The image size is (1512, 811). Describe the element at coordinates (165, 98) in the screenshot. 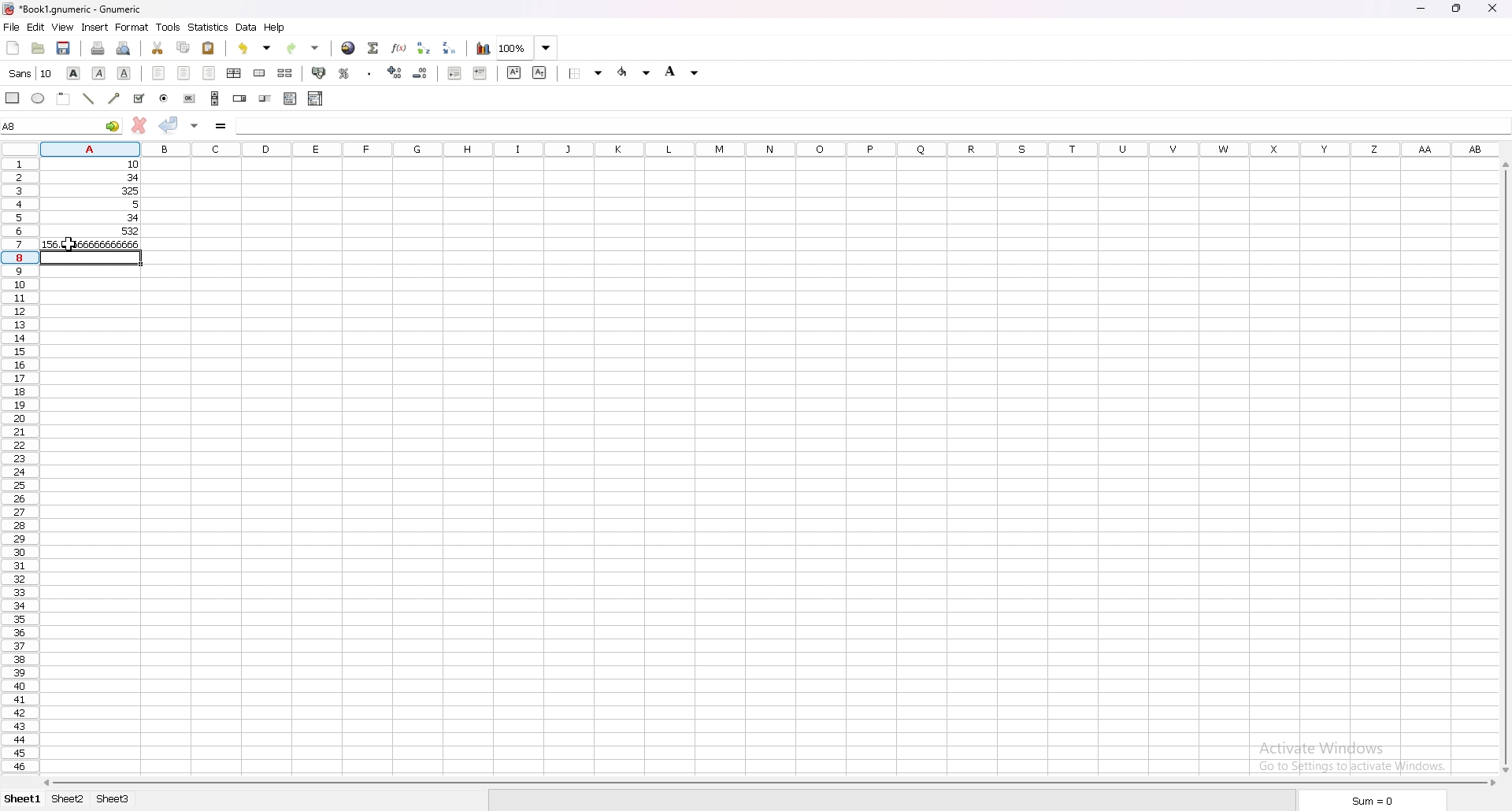

I see `radio button` at that location.